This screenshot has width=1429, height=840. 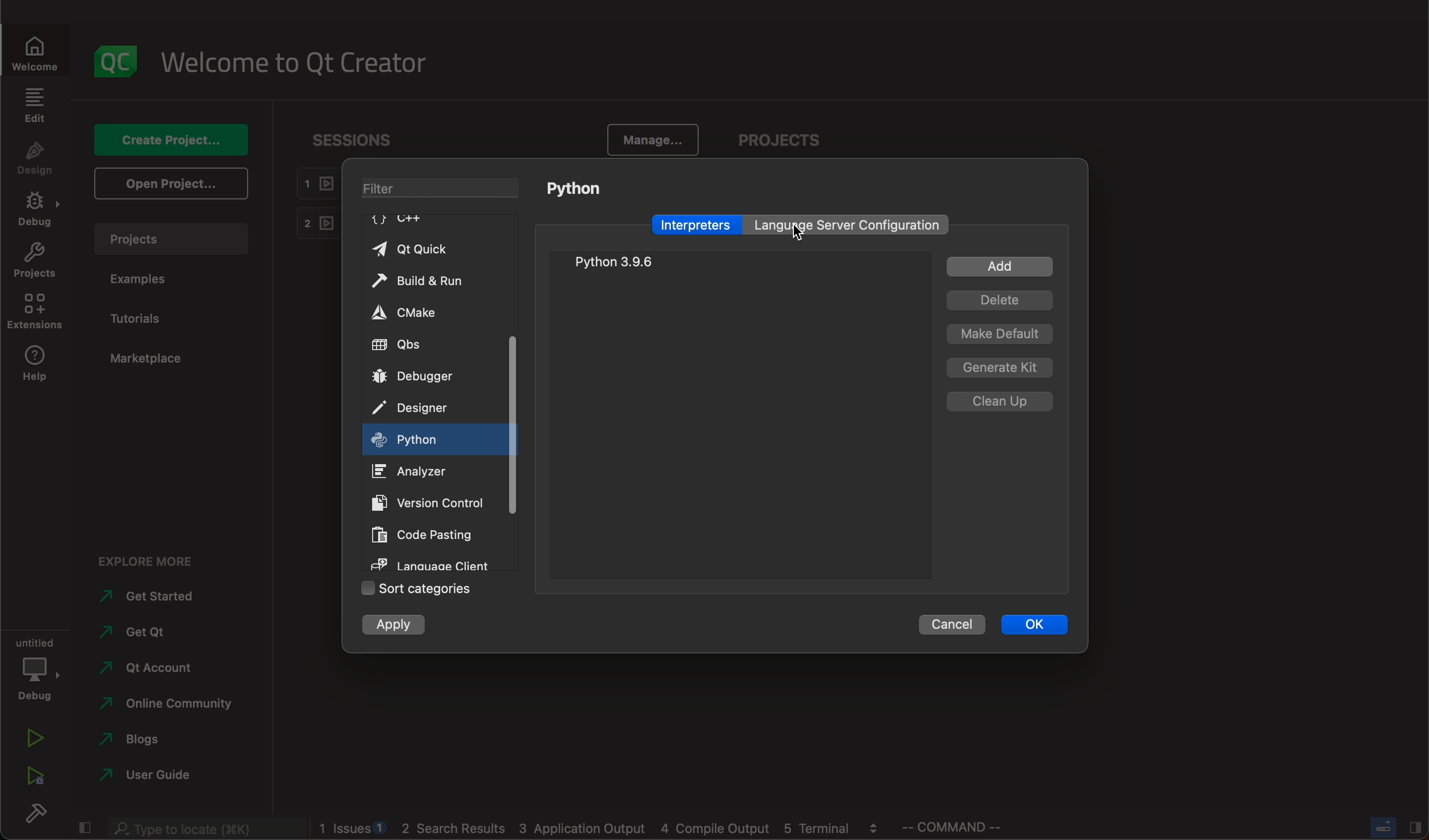 I want to click on blogs, so click(x=141, y=738).